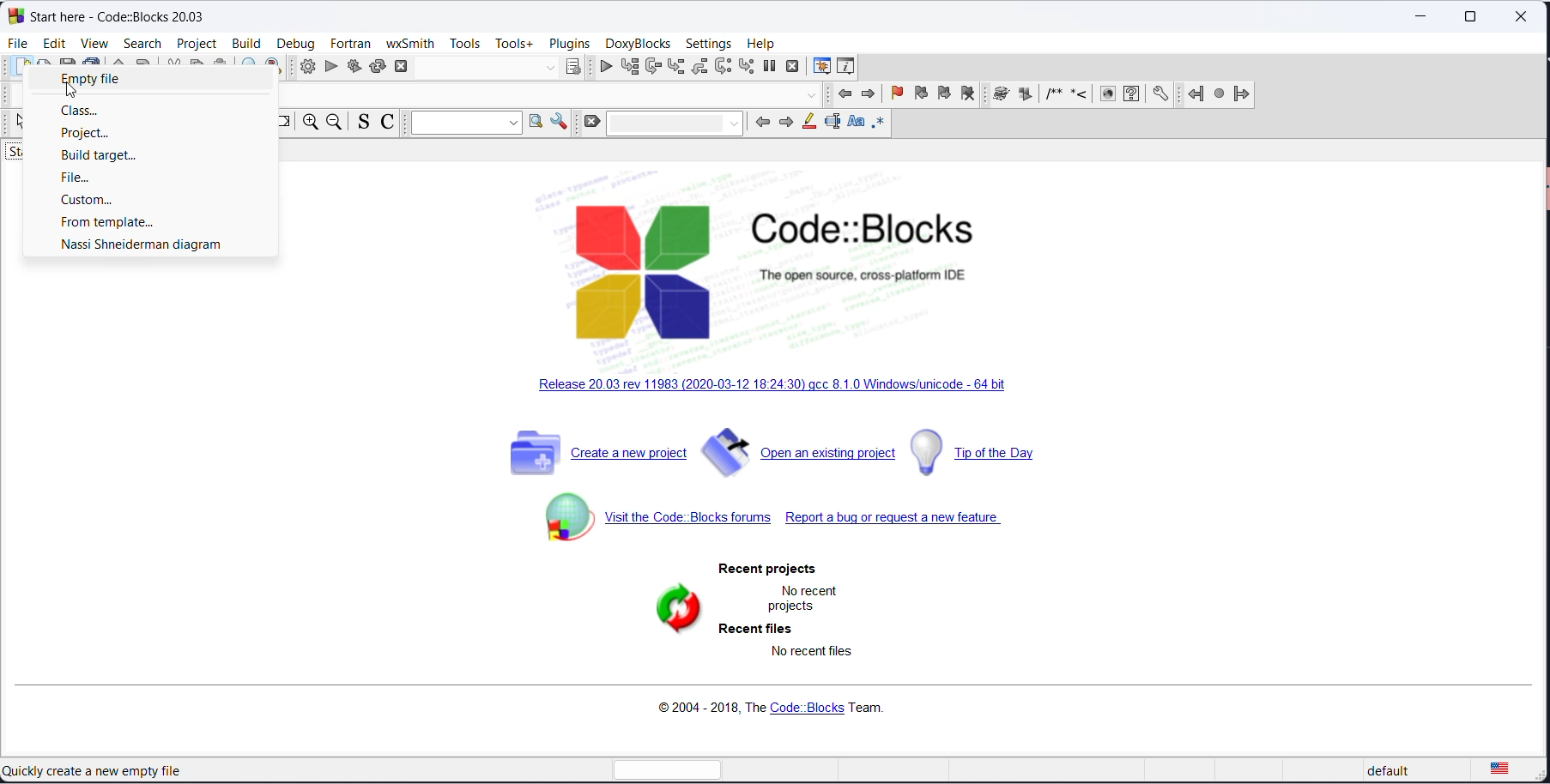 The image size is (1550, 784). I want to click on previous bookmark, so click(919, 95).